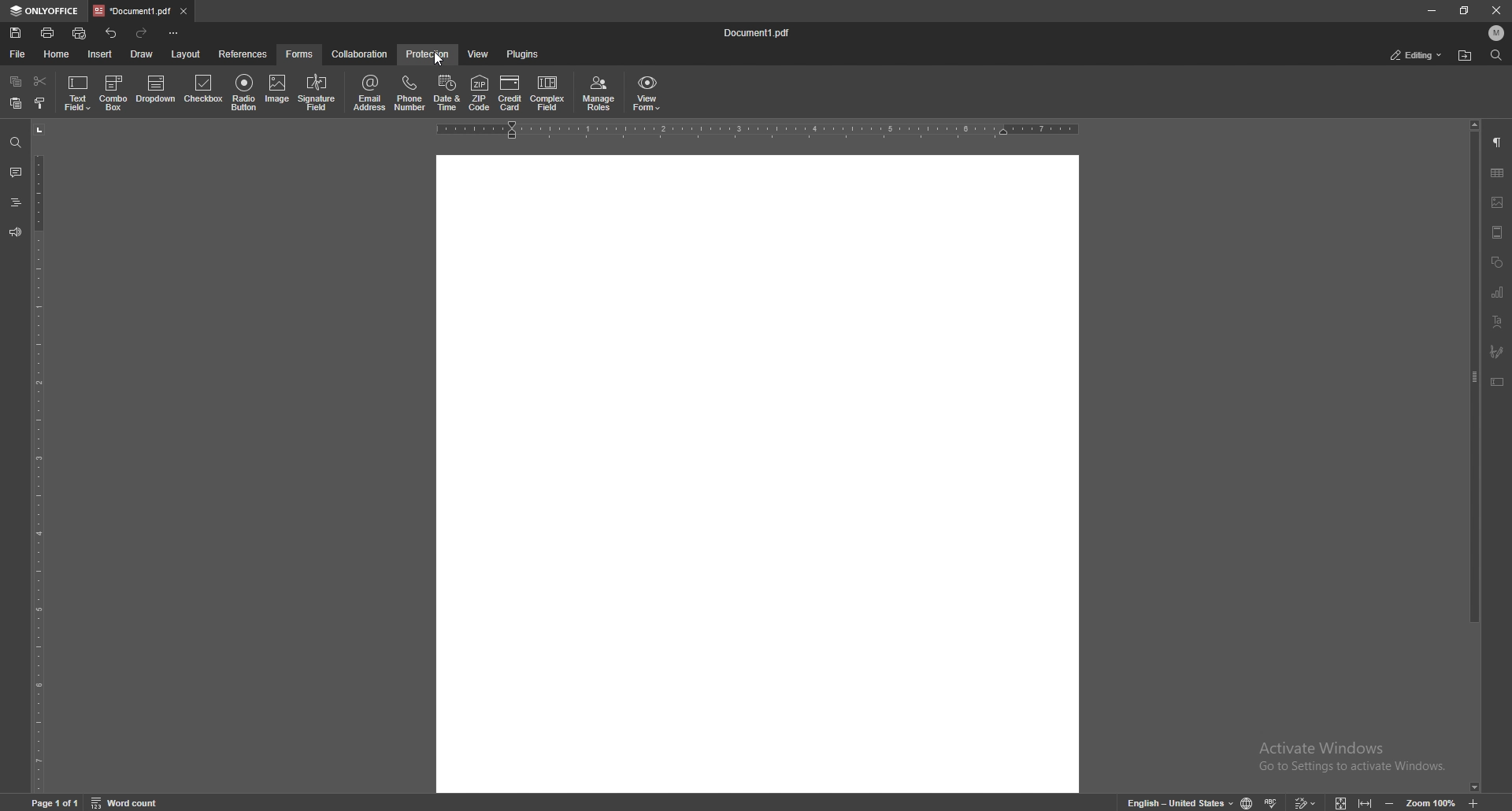  Describe the element at coordinates (1273, 799) in the screenshot. I see `spell check` at that location.